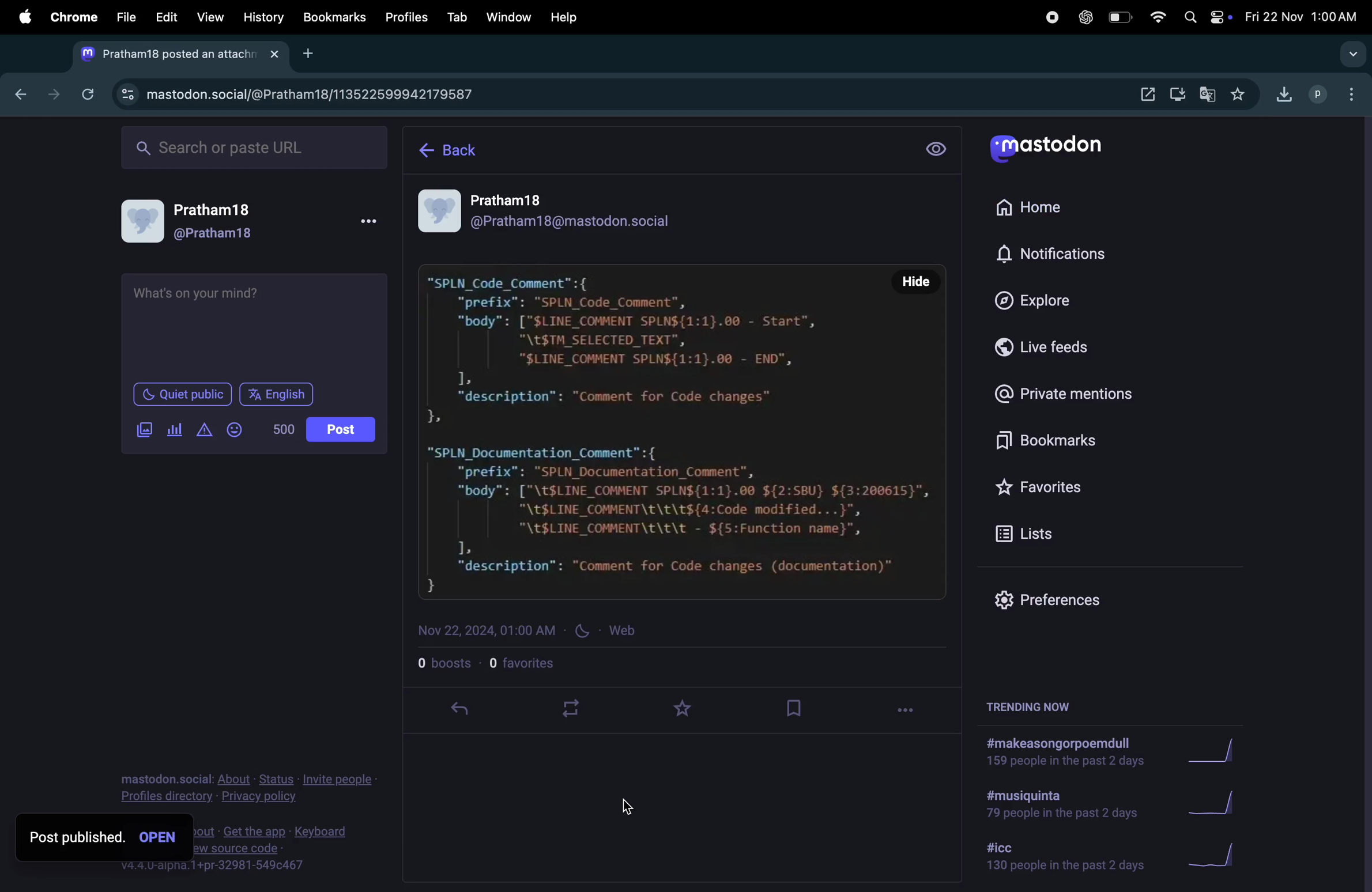 The height and width of the screenshot is (892, 1372). What do you see at coordinates (77, 837) in the screenshot?
I see `post published` at bounding box center [77, 837].